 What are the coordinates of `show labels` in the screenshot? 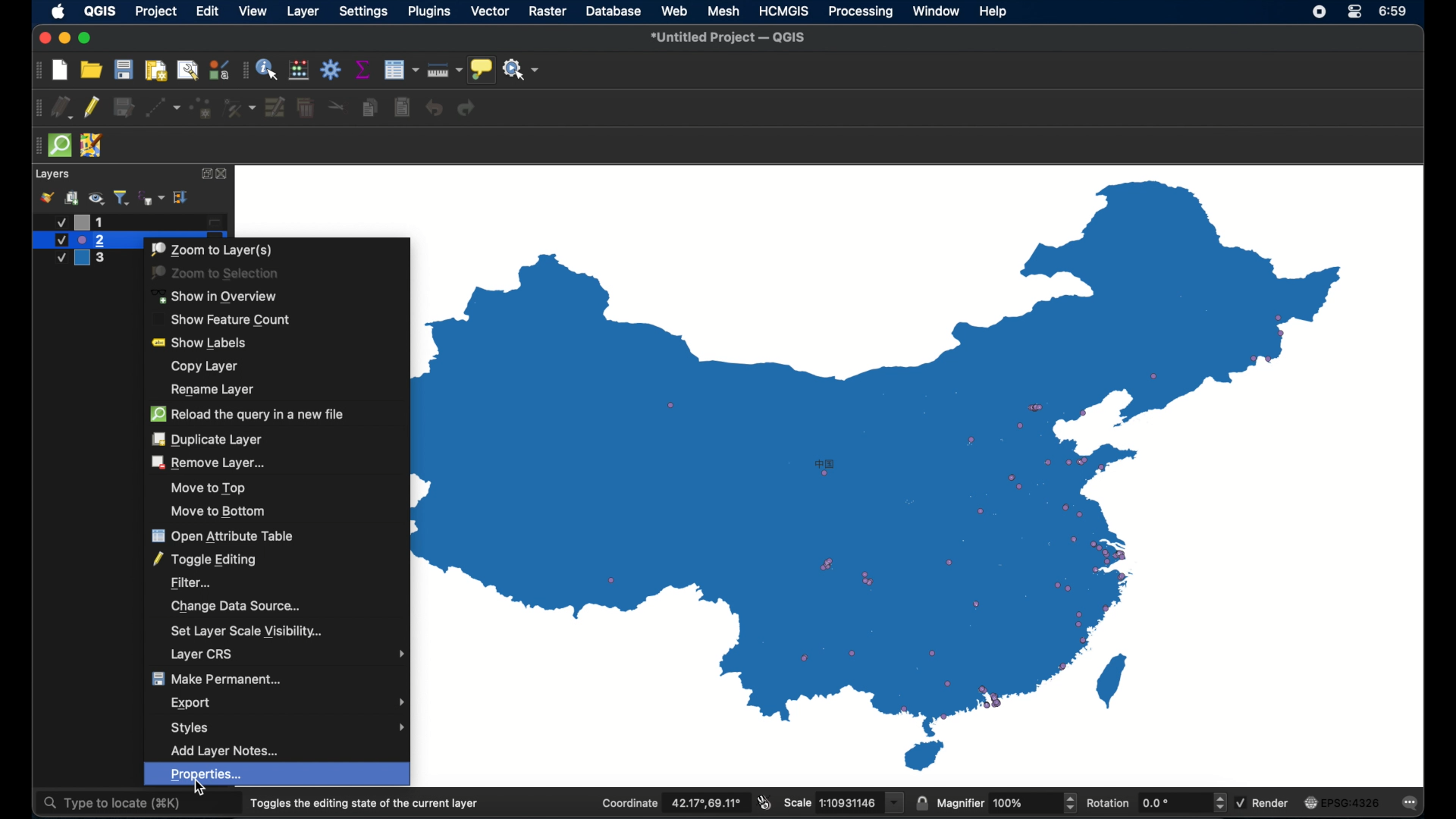 It's located at (202, 343).